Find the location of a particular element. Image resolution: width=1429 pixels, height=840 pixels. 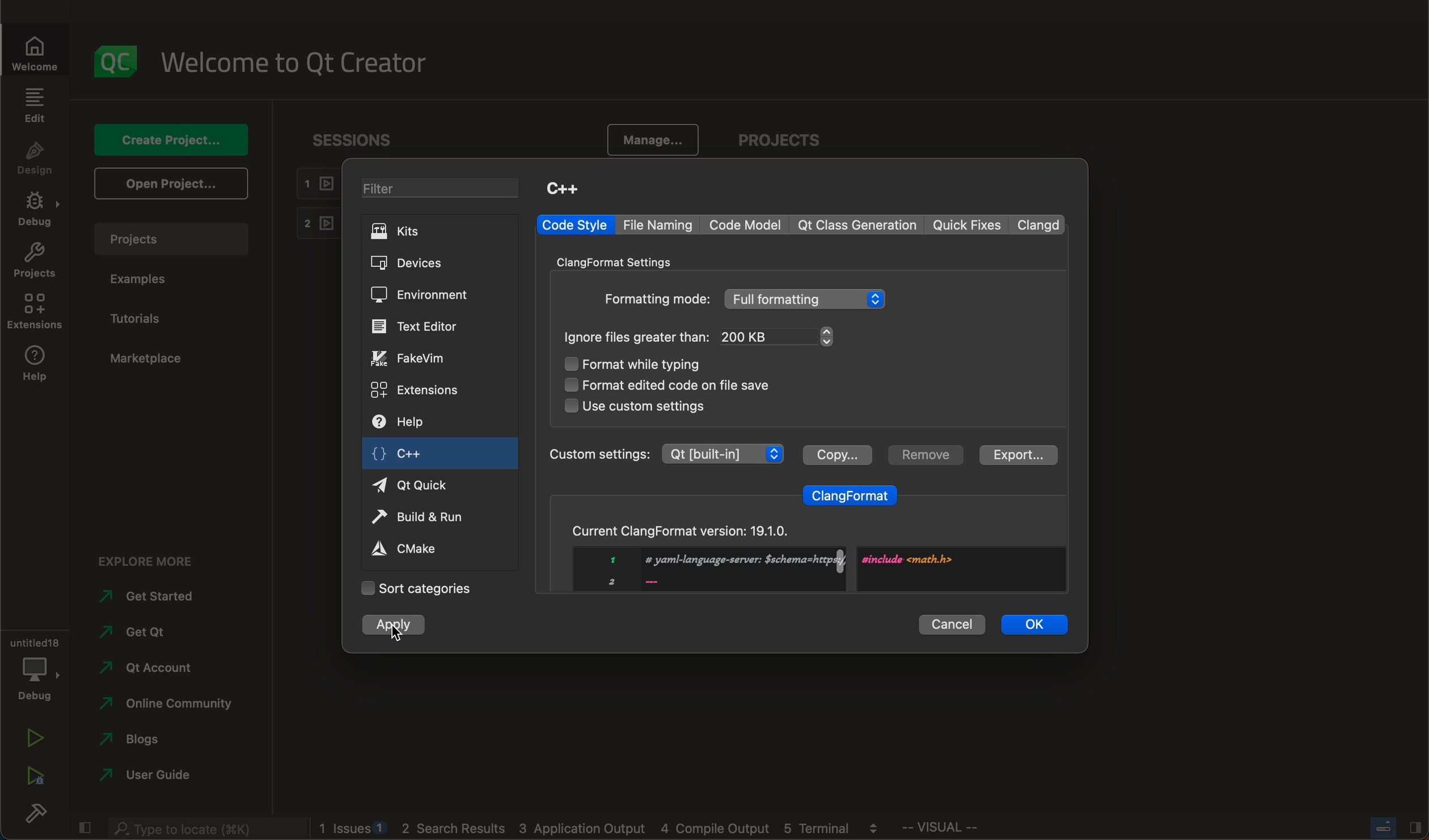

logo is located at coordinates (117, 61).